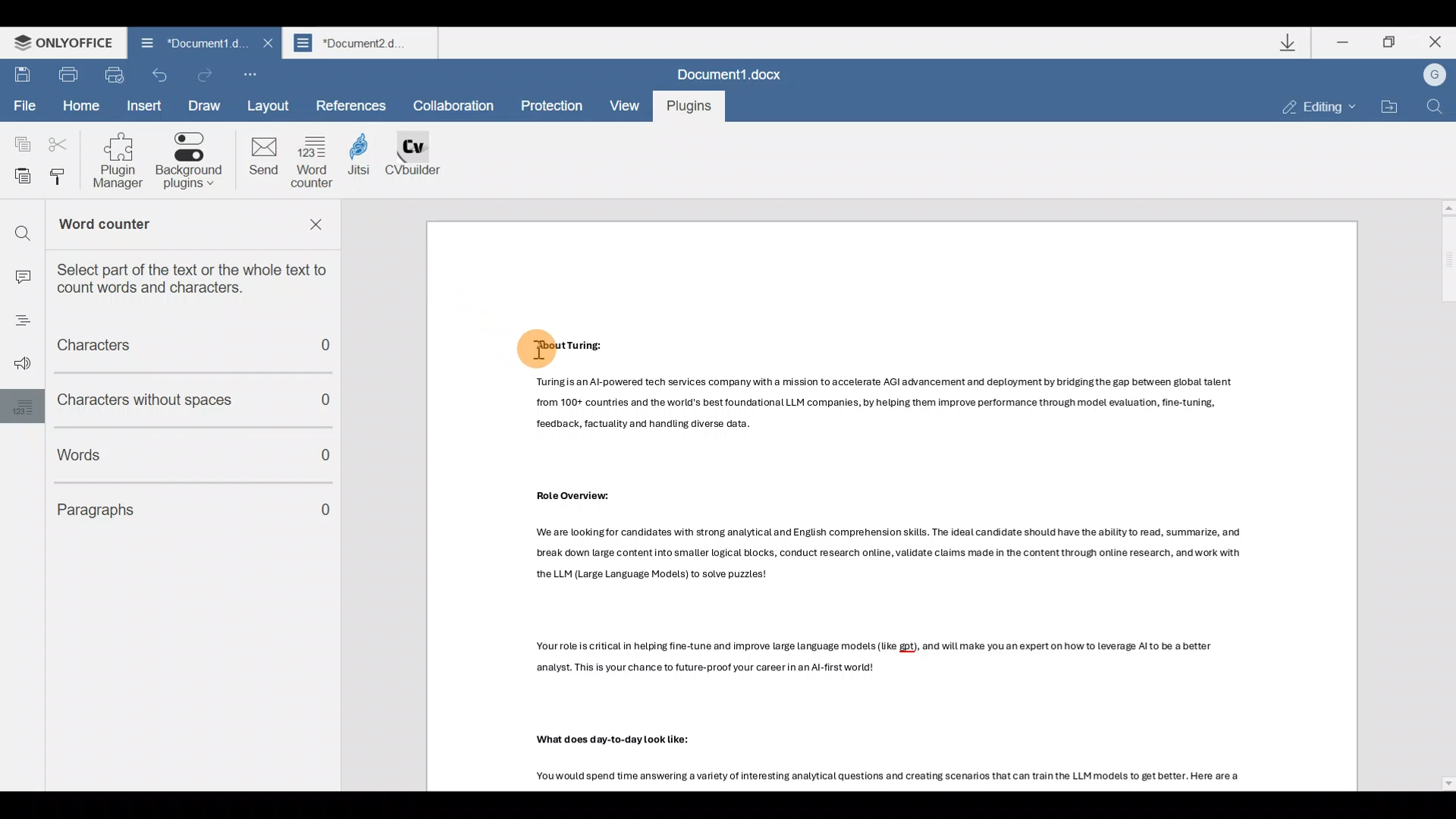 The width and height of the screenshot is (1456, 819). I want to click on View, so click(623, 106).